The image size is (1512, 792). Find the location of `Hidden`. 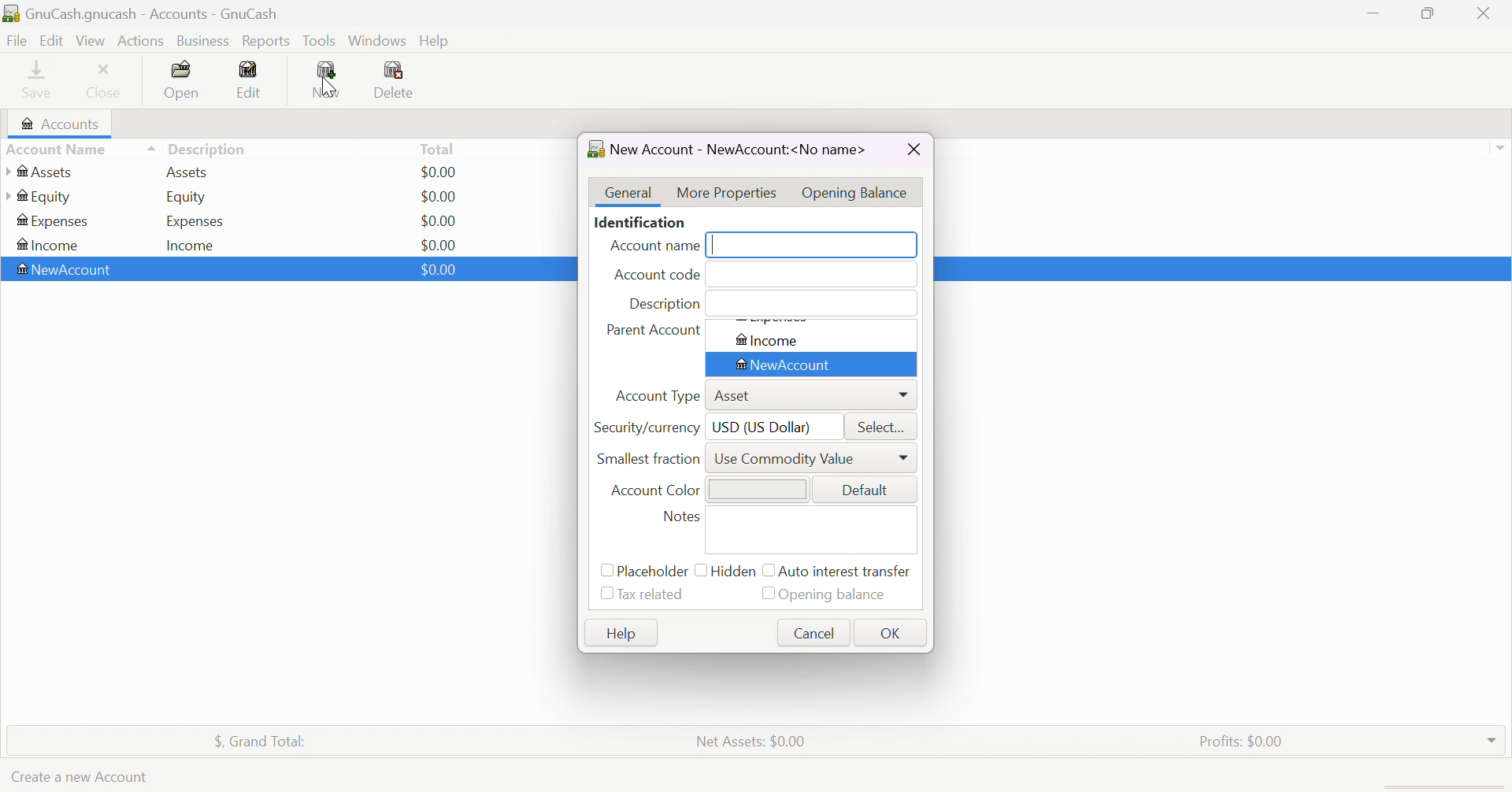

Hidden is located at coordinates (734, 570).